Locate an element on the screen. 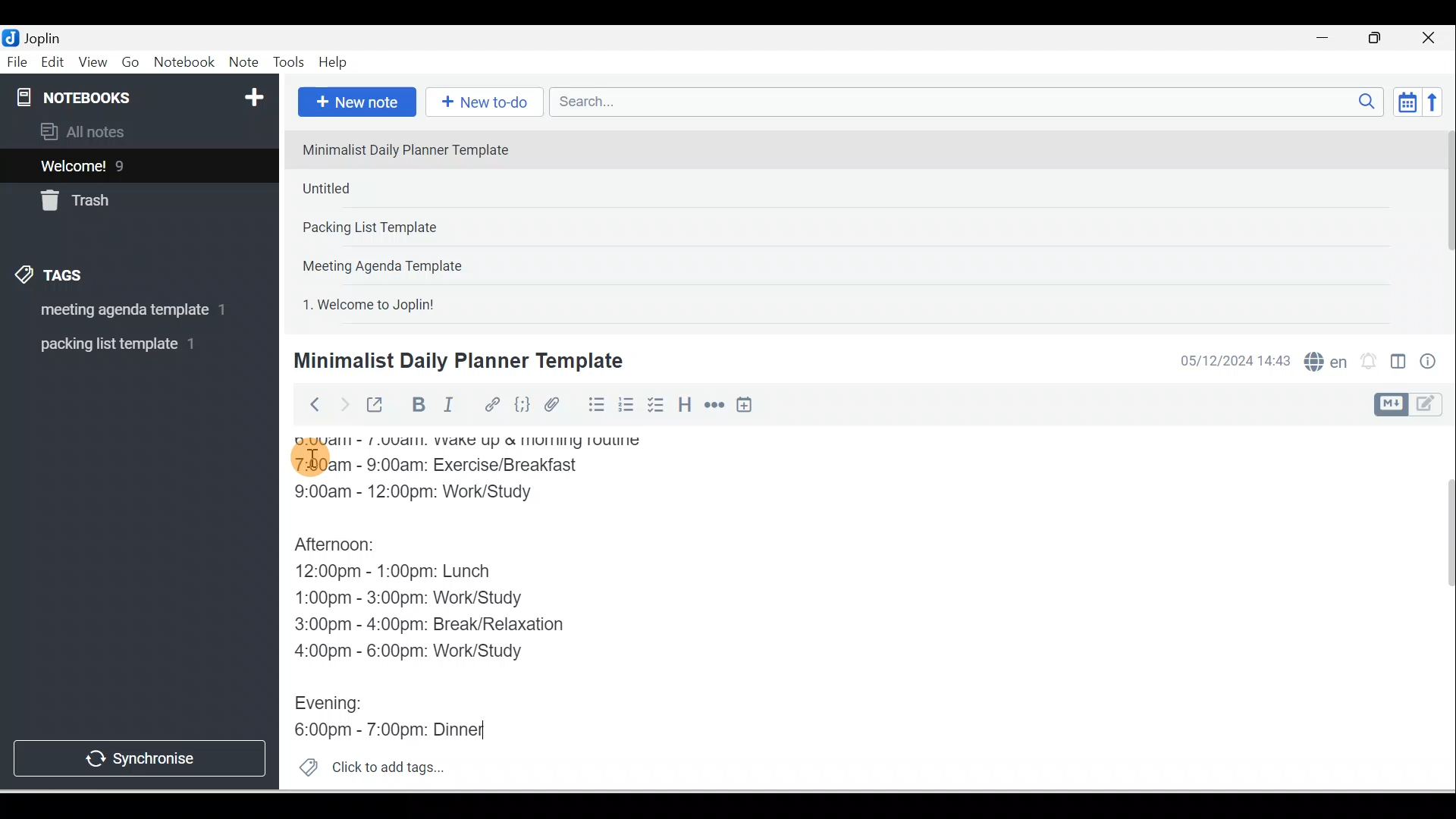  Afternoon: is located at coordinates (349, 545).